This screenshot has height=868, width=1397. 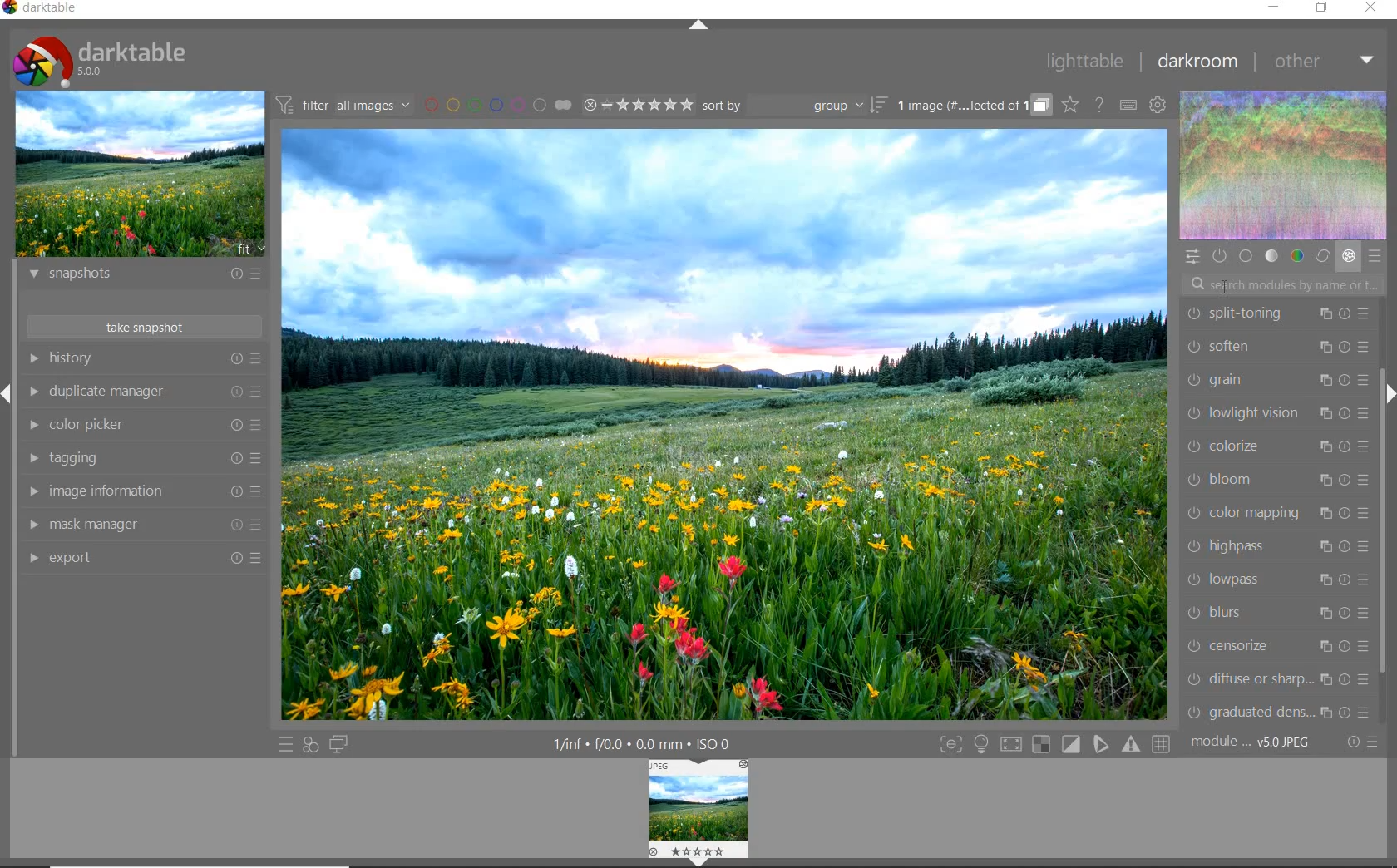 I want to click on snapshots, so click(x=141, y=277).